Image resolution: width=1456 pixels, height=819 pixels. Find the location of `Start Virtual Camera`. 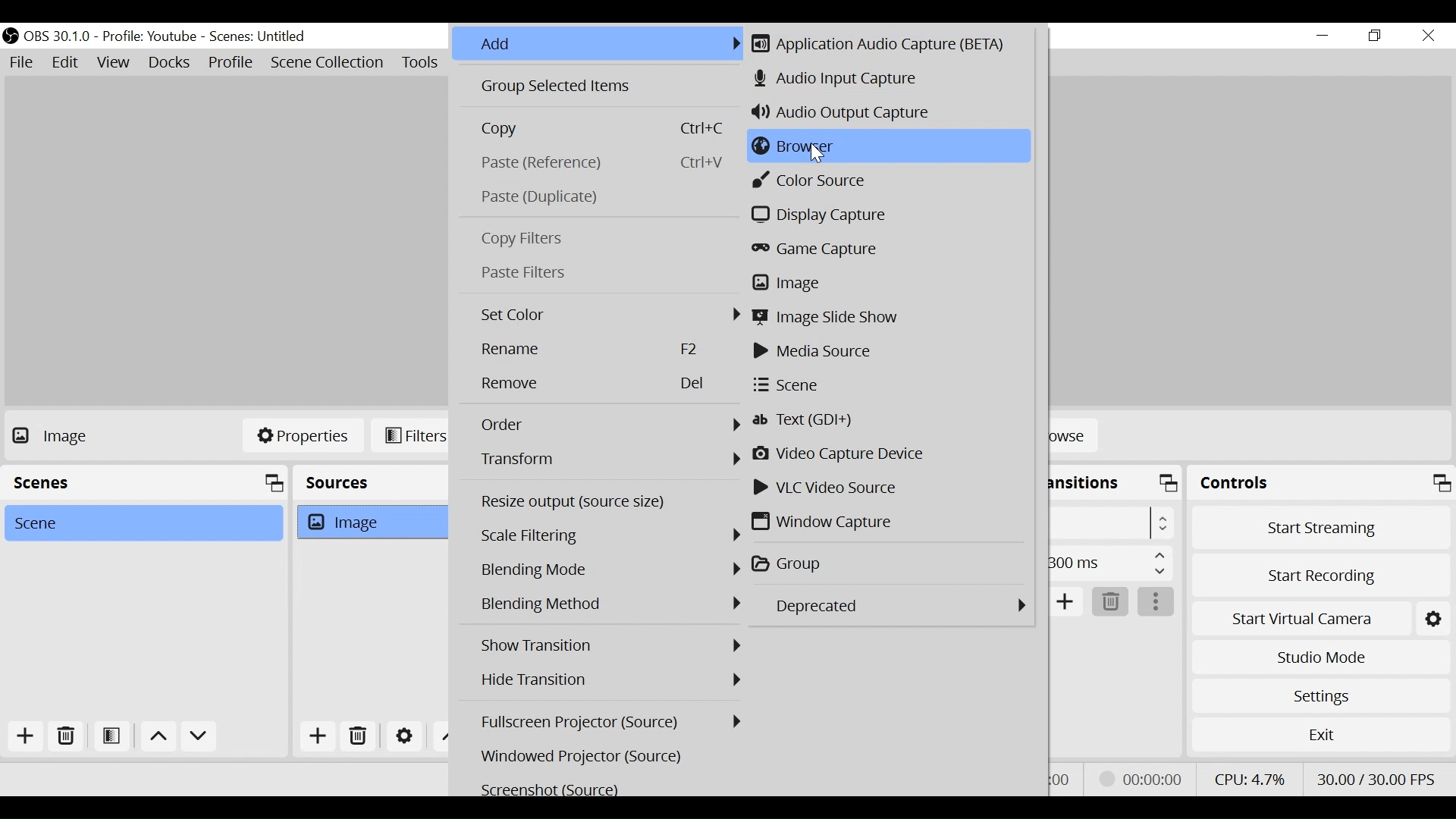

Start Virtual Camera is located at coordinates (1300, 620).